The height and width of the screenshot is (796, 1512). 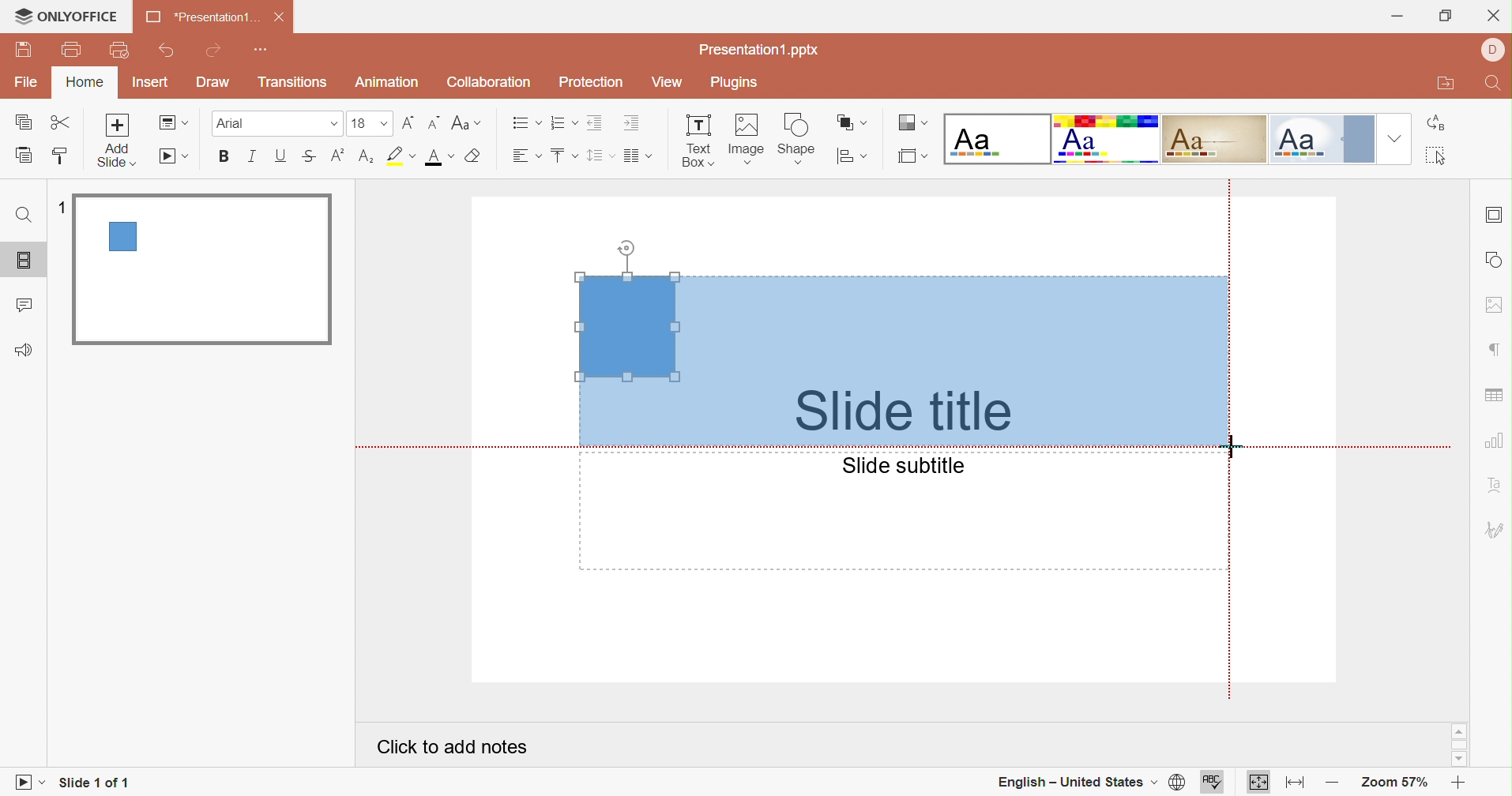 What do you see at coordinates (910, 123) in the screenshot?
I see `Change color theme` at bounding box center [910, 123].